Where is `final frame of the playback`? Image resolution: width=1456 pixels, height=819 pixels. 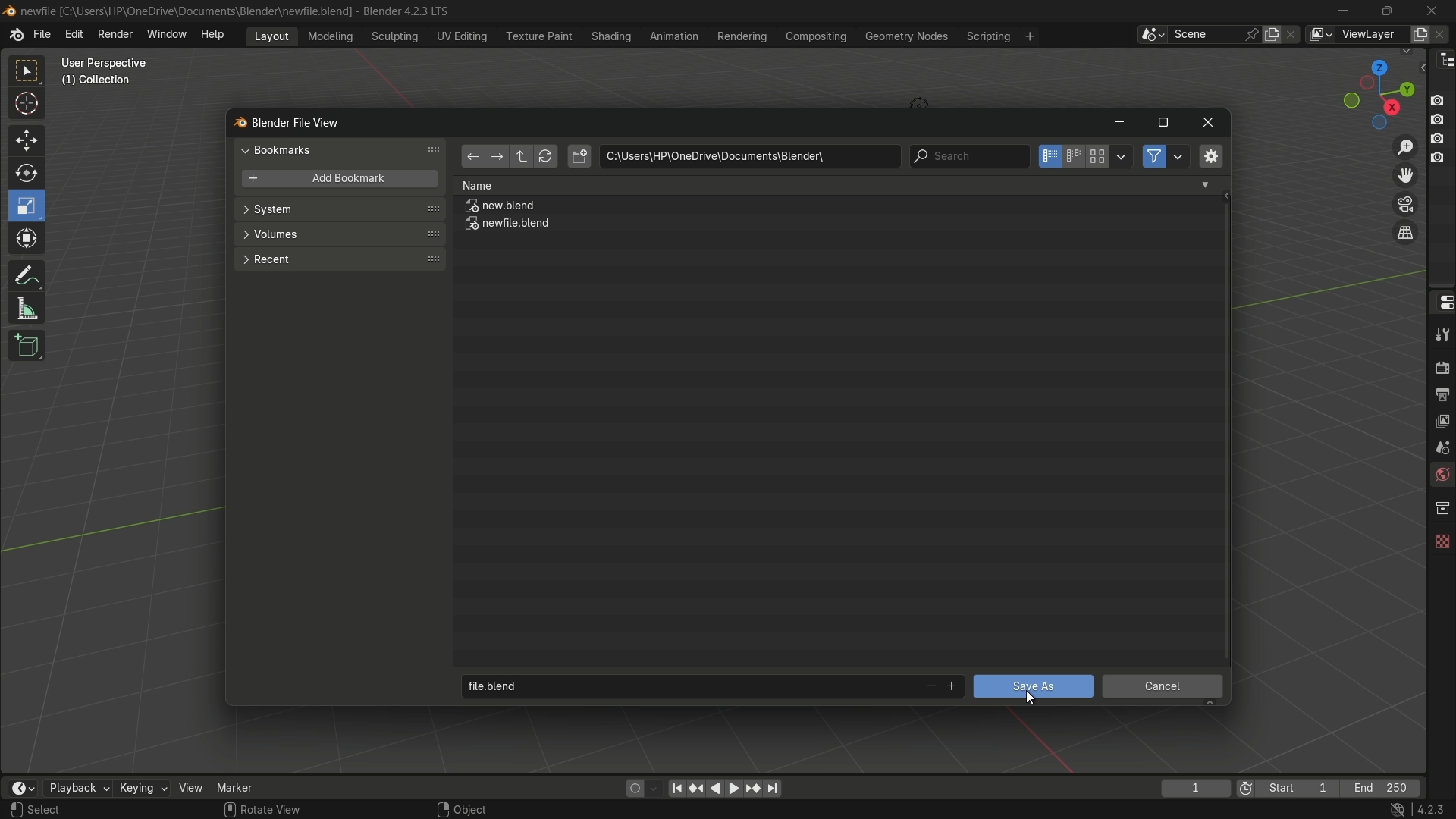 final frame of the playback is located at coordinates (1382, 789).